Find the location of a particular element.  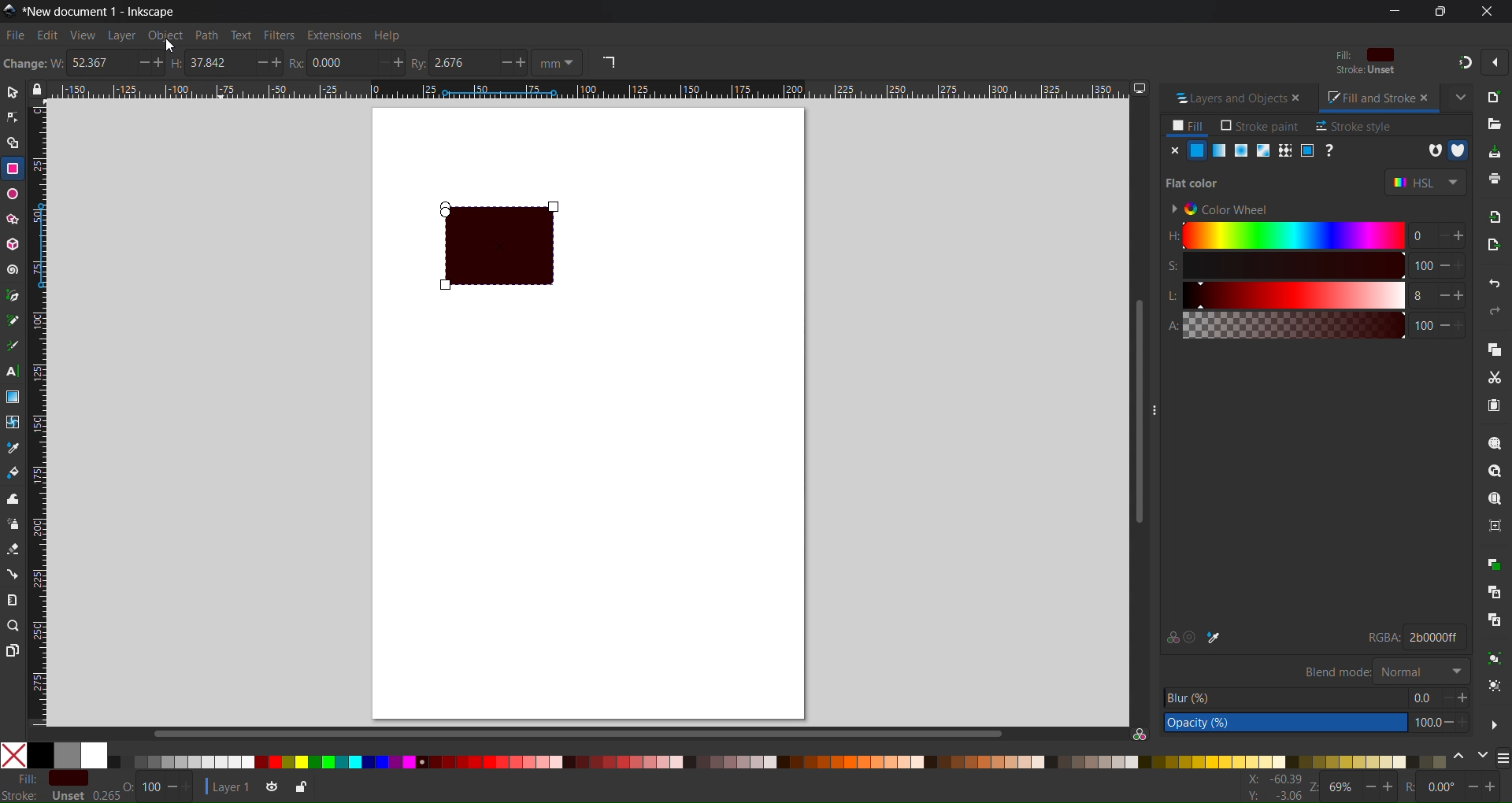

Duplicate is located at coordinates (1495, 564).